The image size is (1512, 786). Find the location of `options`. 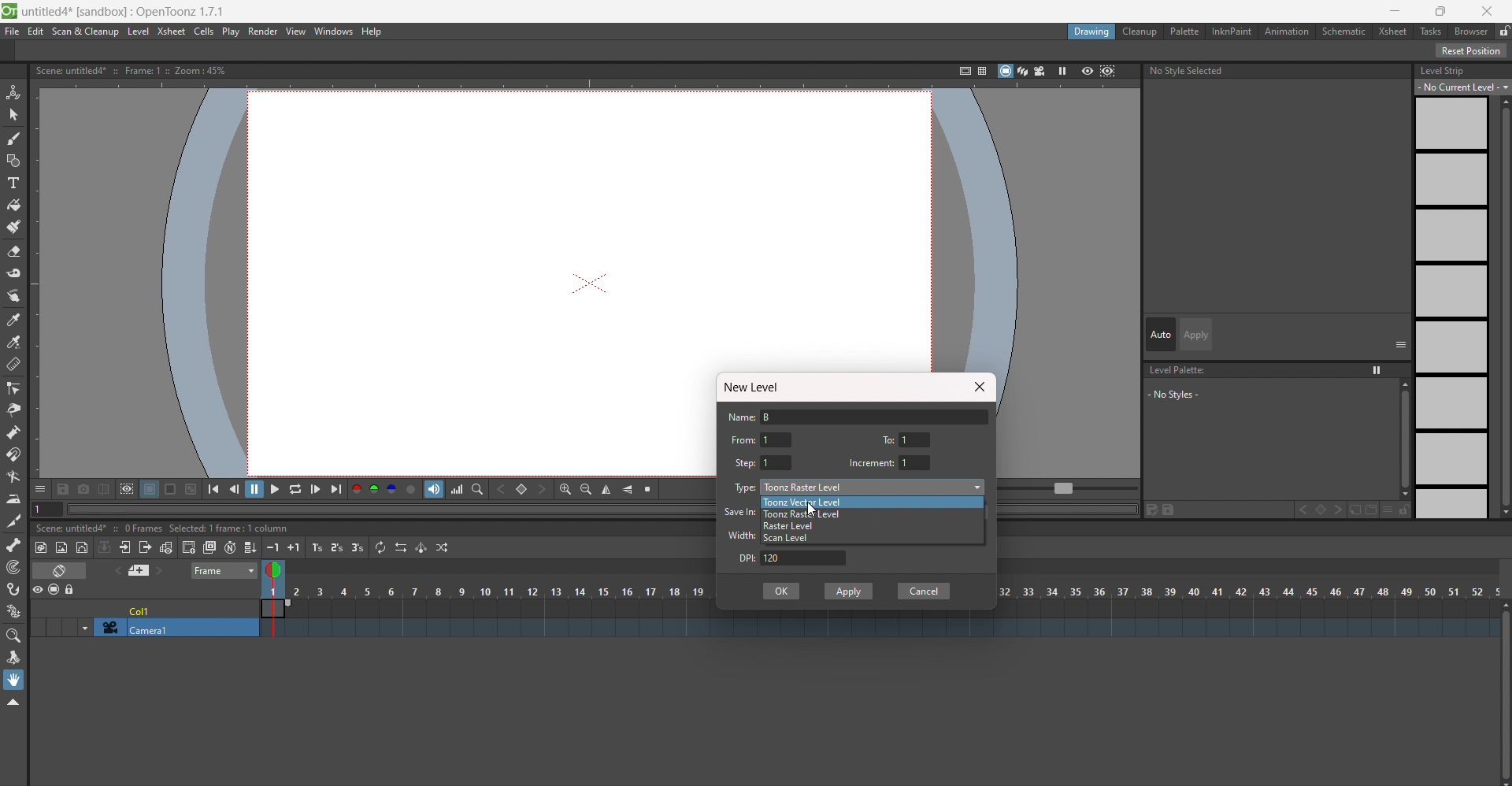

options is located at coordinates (40, 488).